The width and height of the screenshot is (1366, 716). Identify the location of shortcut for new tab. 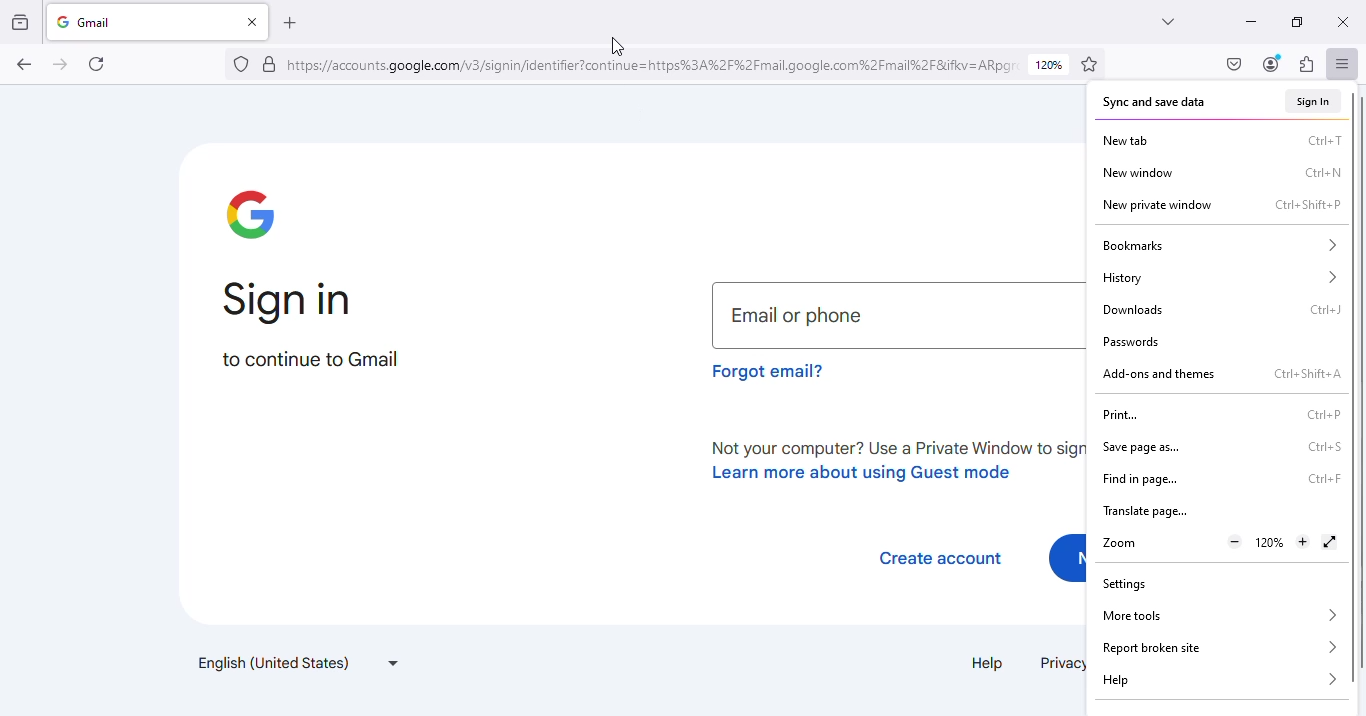
(1323, 139).